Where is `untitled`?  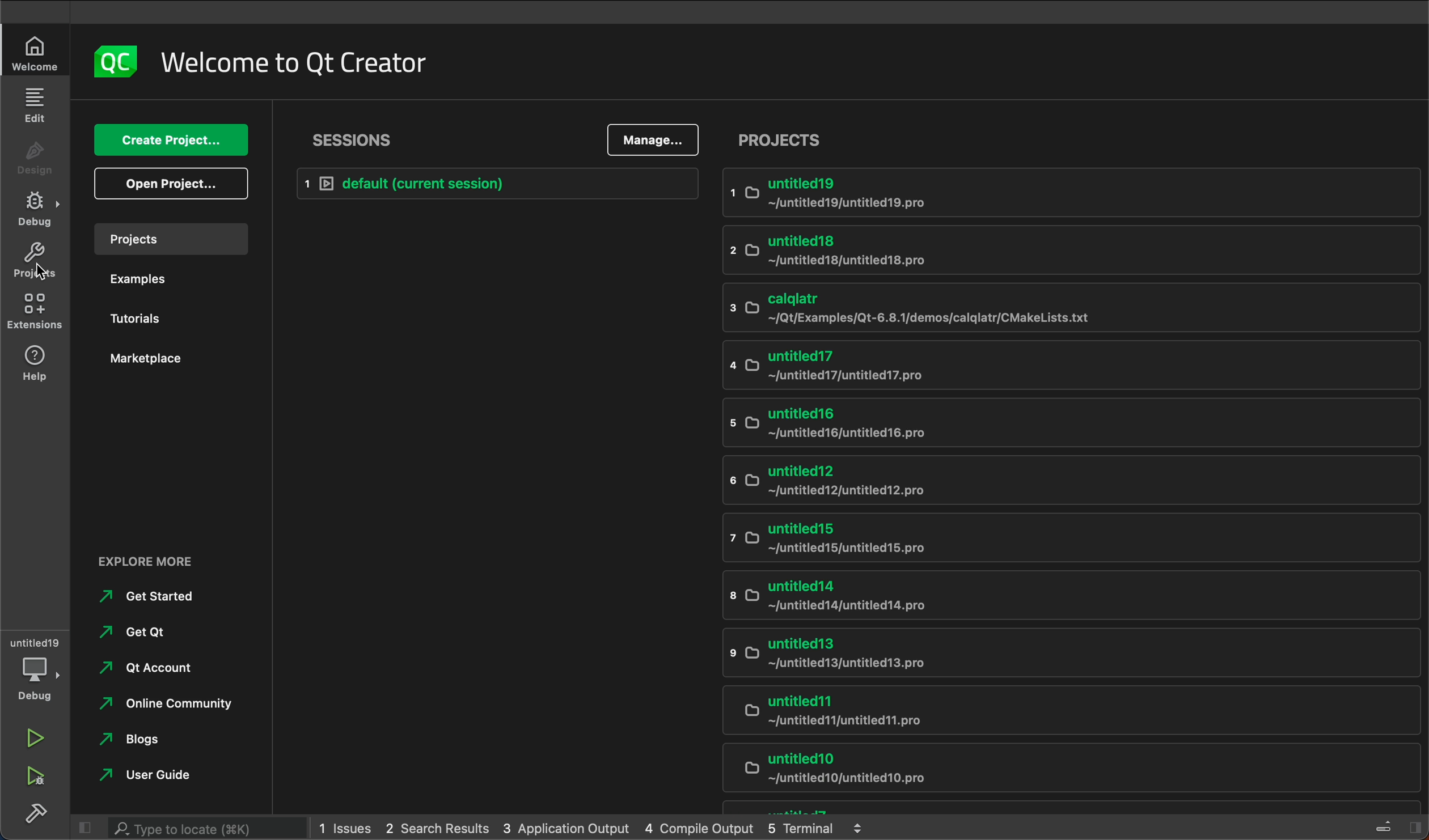
untitled is located at coordinates (35, 642).